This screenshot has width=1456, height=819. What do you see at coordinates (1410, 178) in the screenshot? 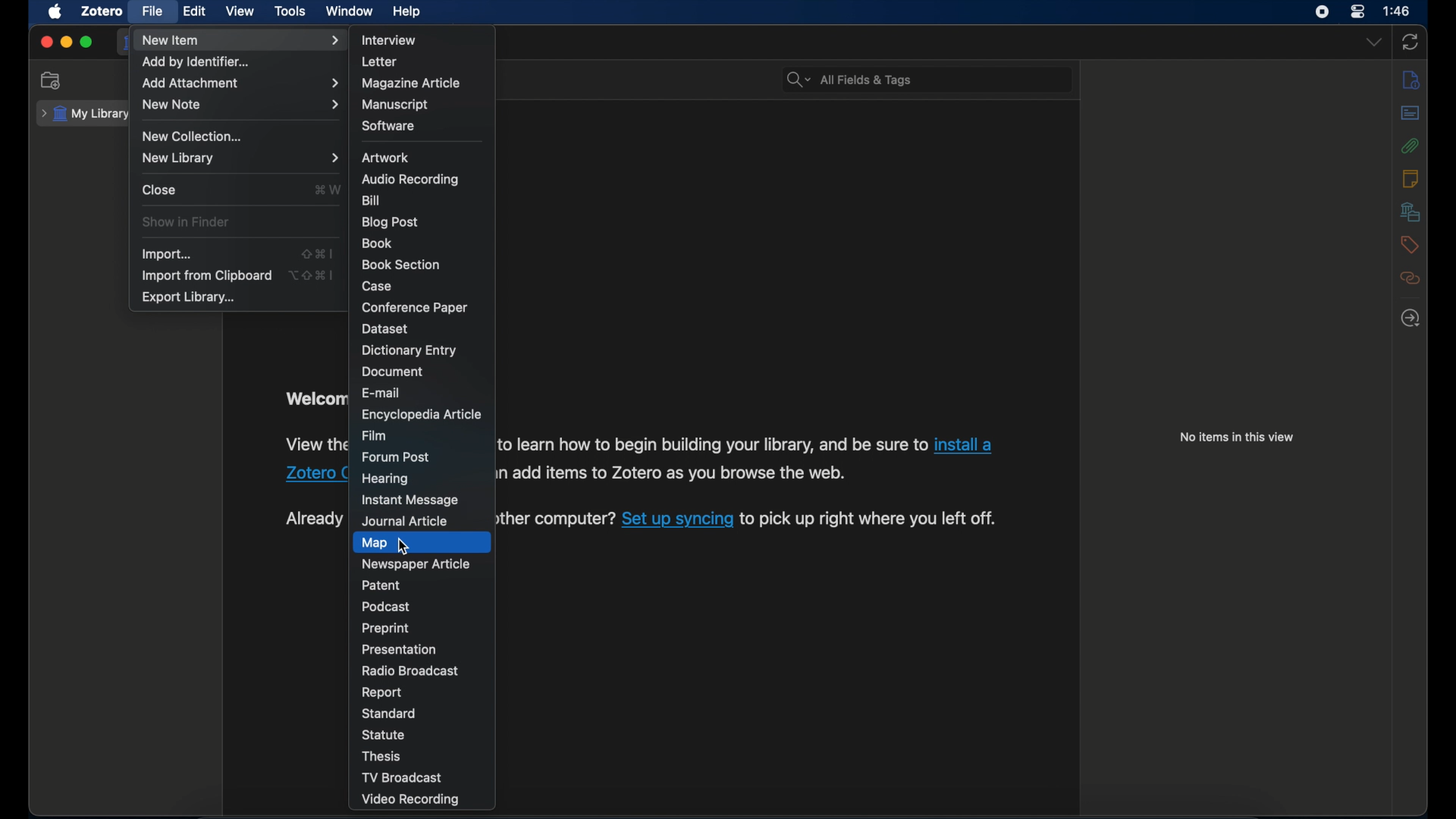
I see `notes` at bounding box center [1410, 178].